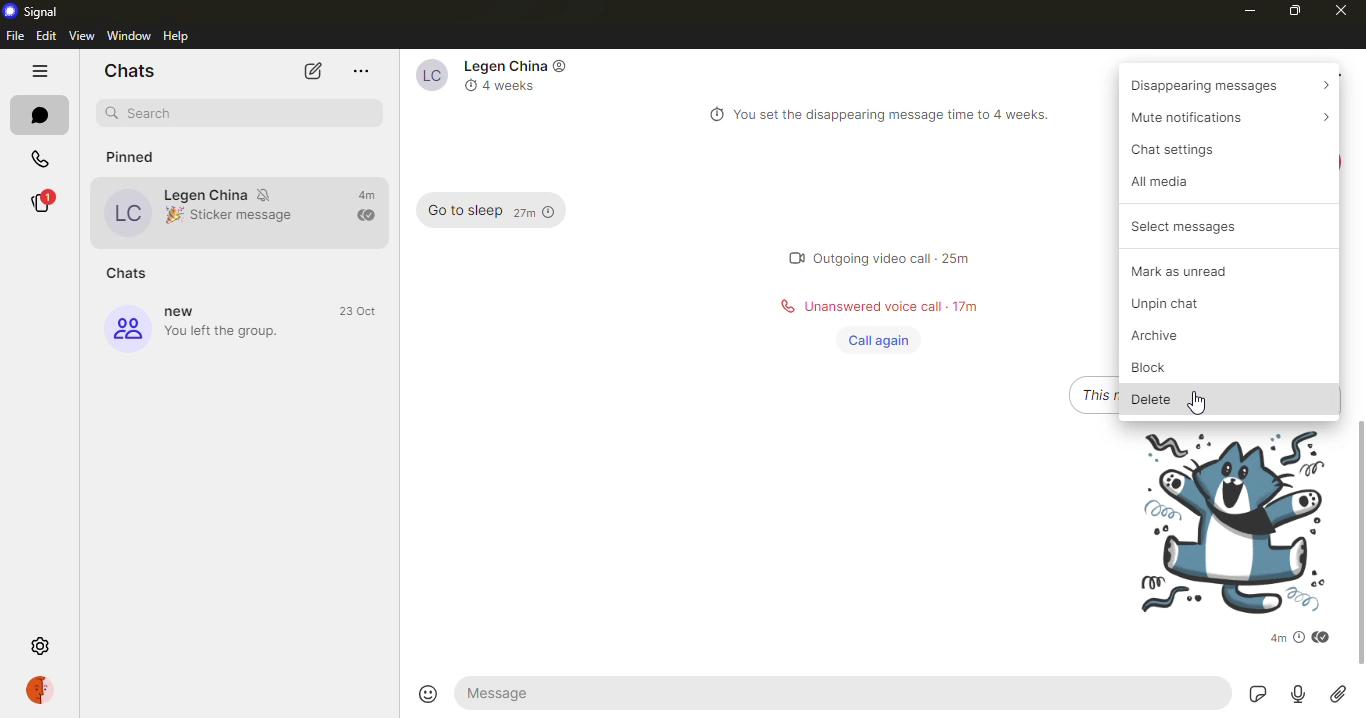 The image size is (1366, 718). I want to click on sticker, so click(1219, 521).